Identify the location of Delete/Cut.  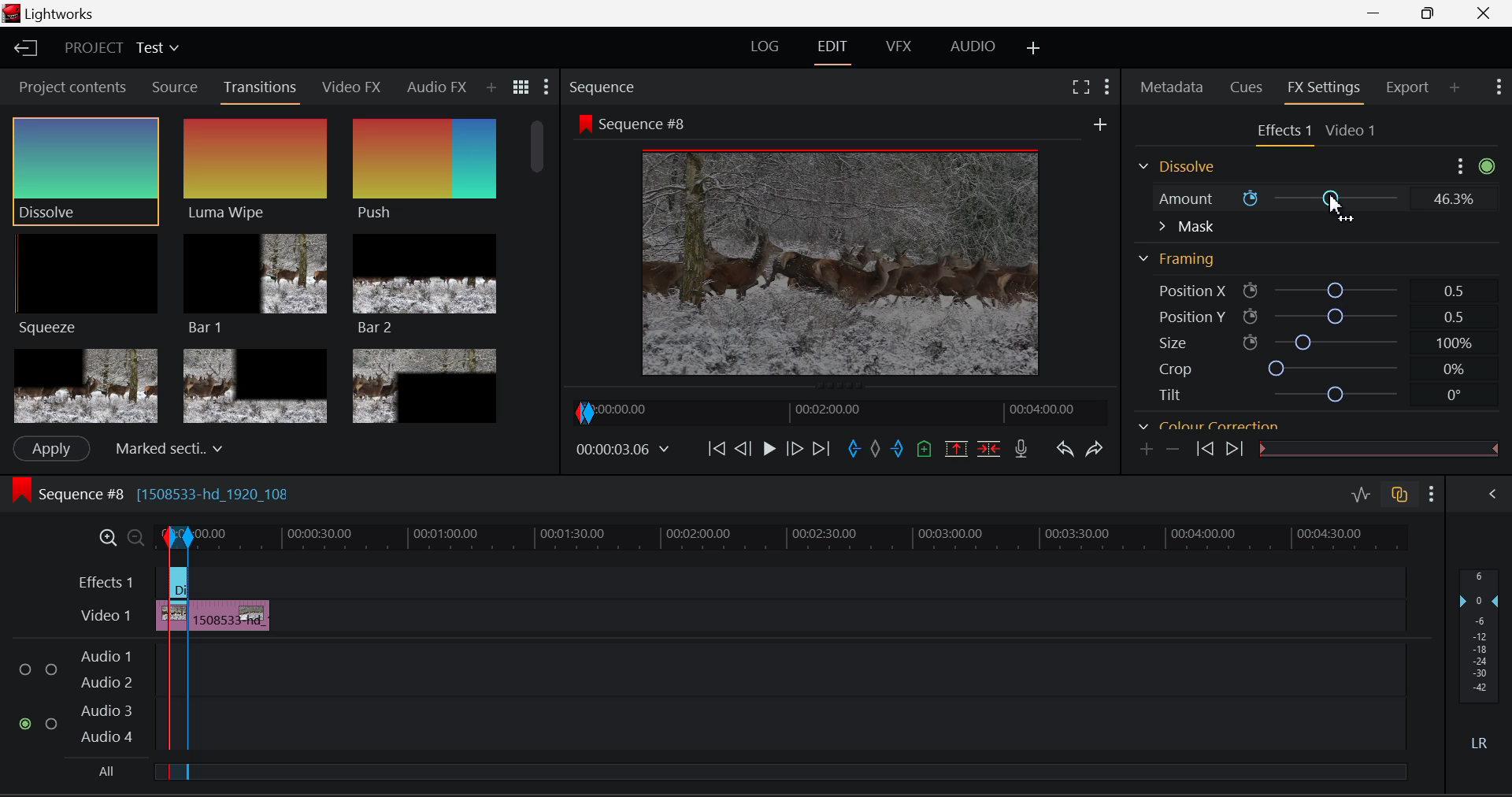
(992, 447).